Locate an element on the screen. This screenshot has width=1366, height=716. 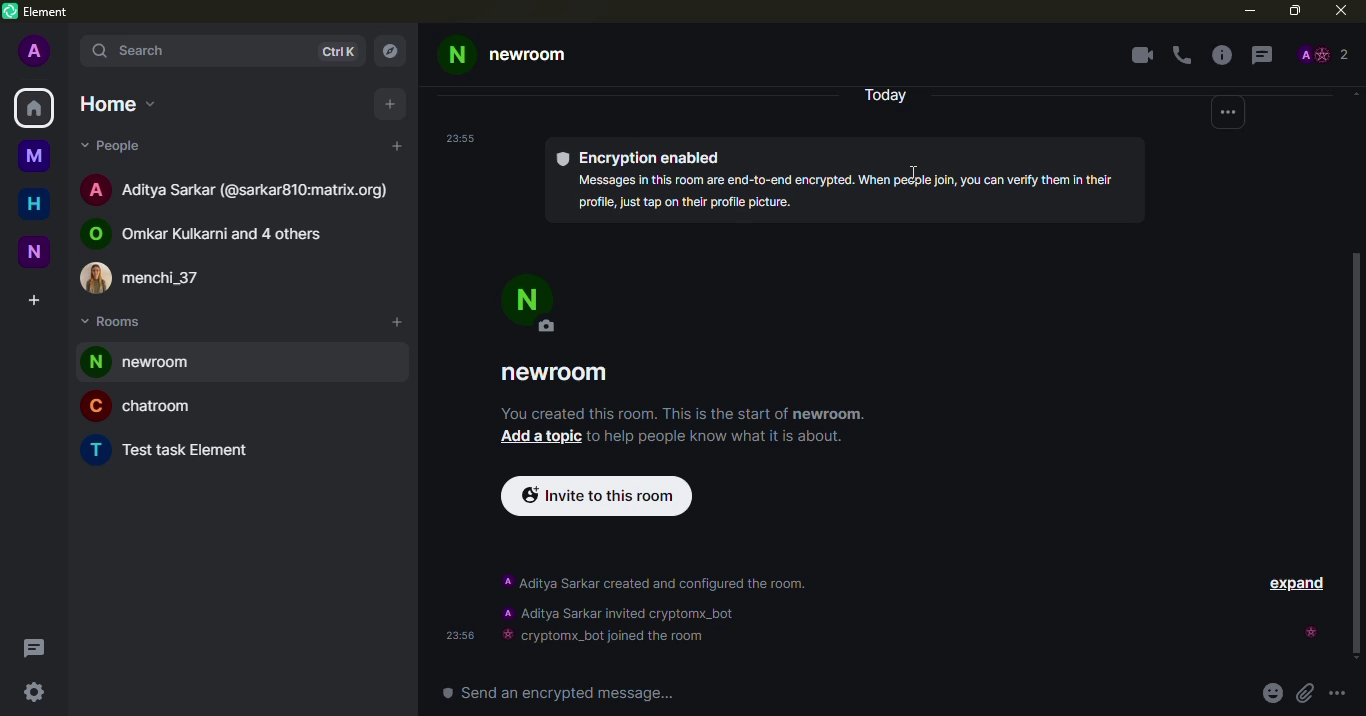
cursor is located at coordinates (912, 168).